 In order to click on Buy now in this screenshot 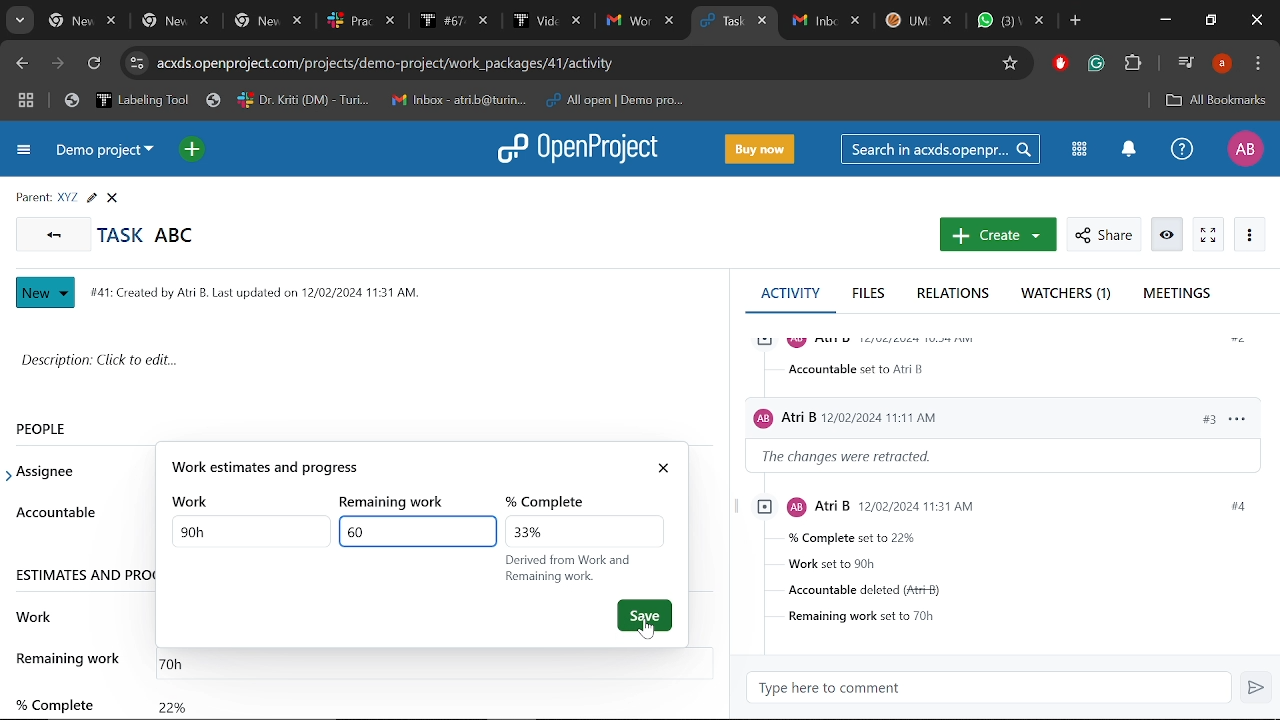, I will do `click(763, 148)`.